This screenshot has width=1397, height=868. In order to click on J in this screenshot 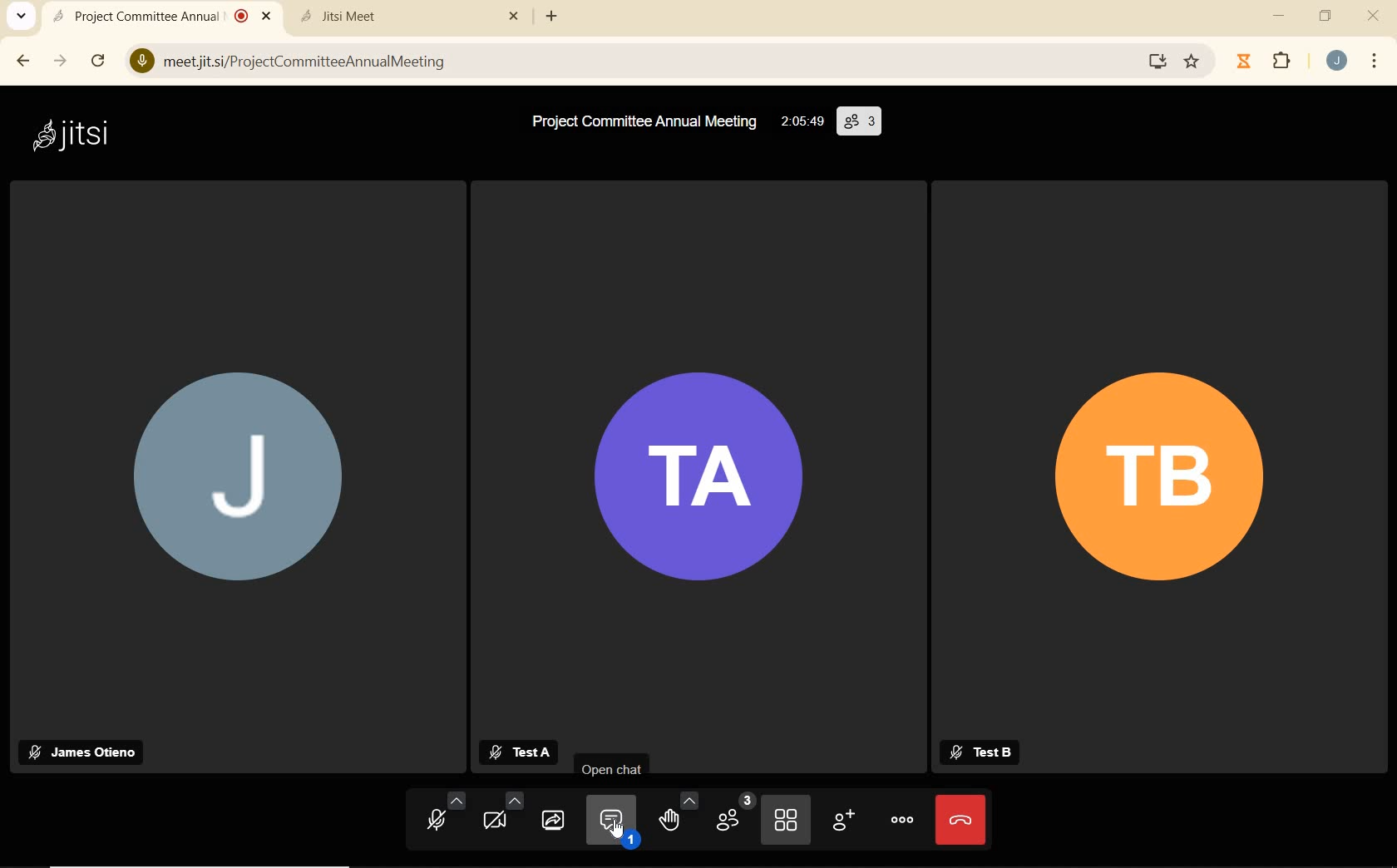, I will do `click(253, 475)`.